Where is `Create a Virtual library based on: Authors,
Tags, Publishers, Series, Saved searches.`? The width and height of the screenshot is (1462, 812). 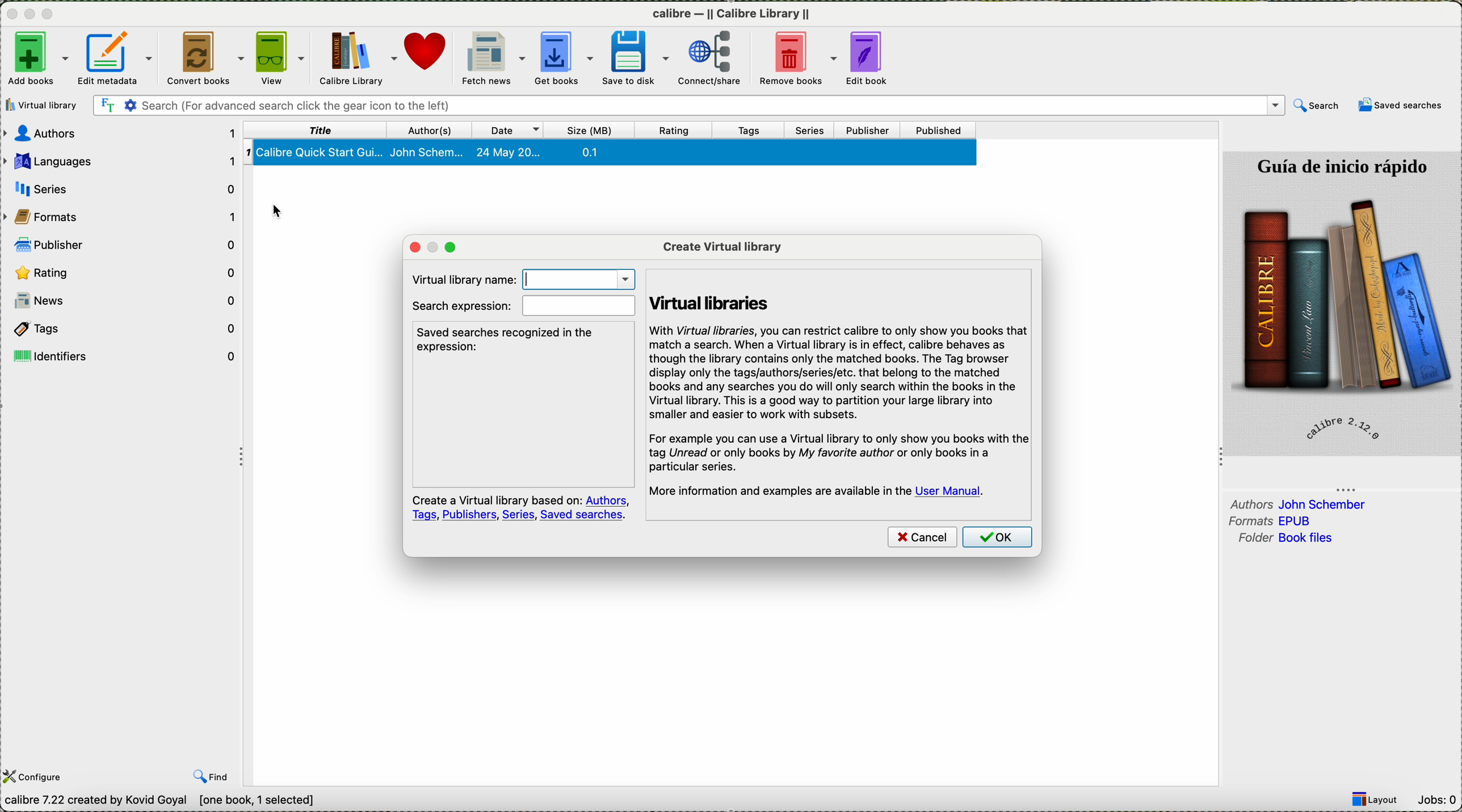
Create a Virtual library based on: Authors,
Tags, Publishers, Series, Saved searches. is located at coordinates (517, 508).